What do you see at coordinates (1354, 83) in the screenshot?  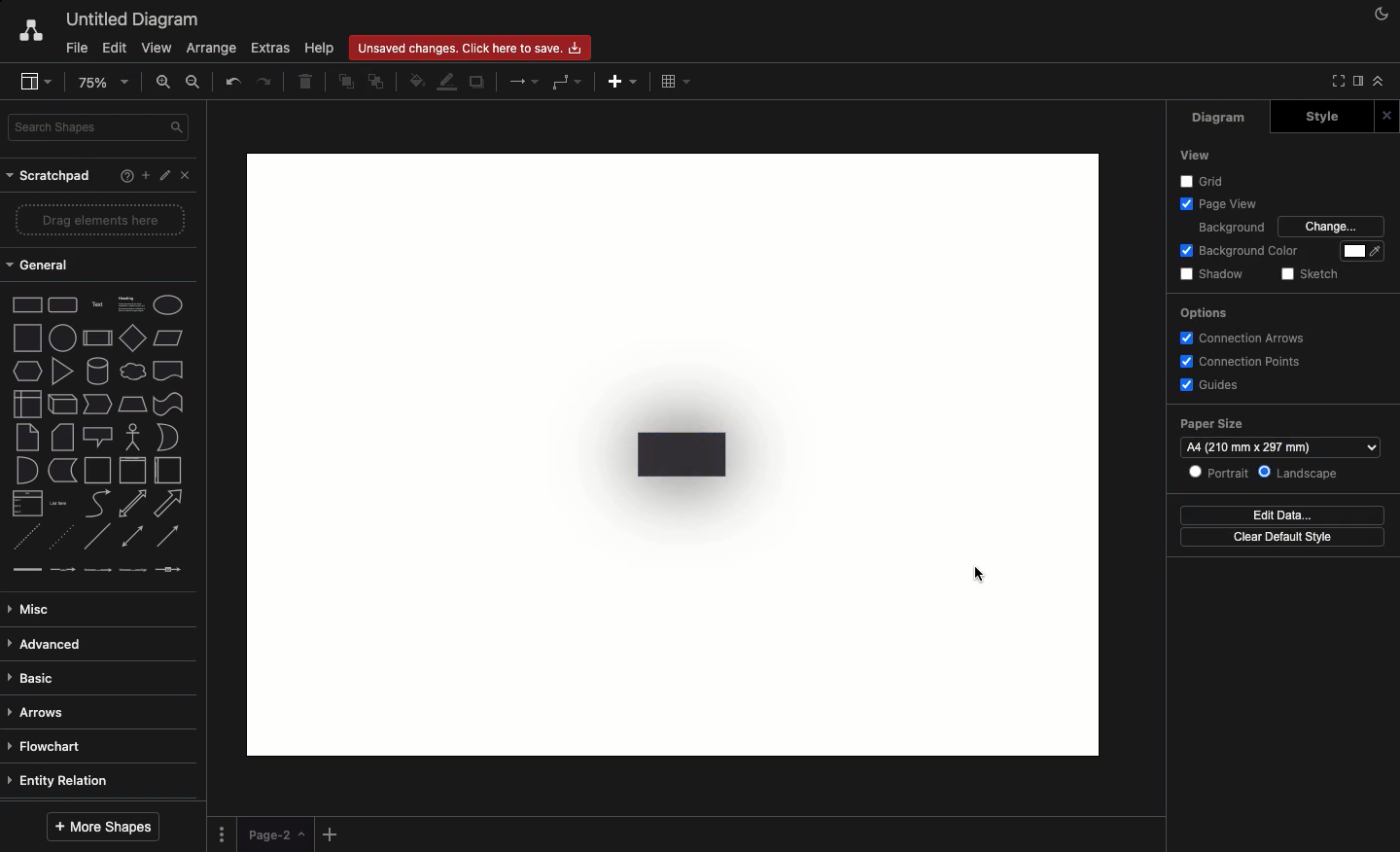 I see `Sidebar` at bounding box center [1354, 83].